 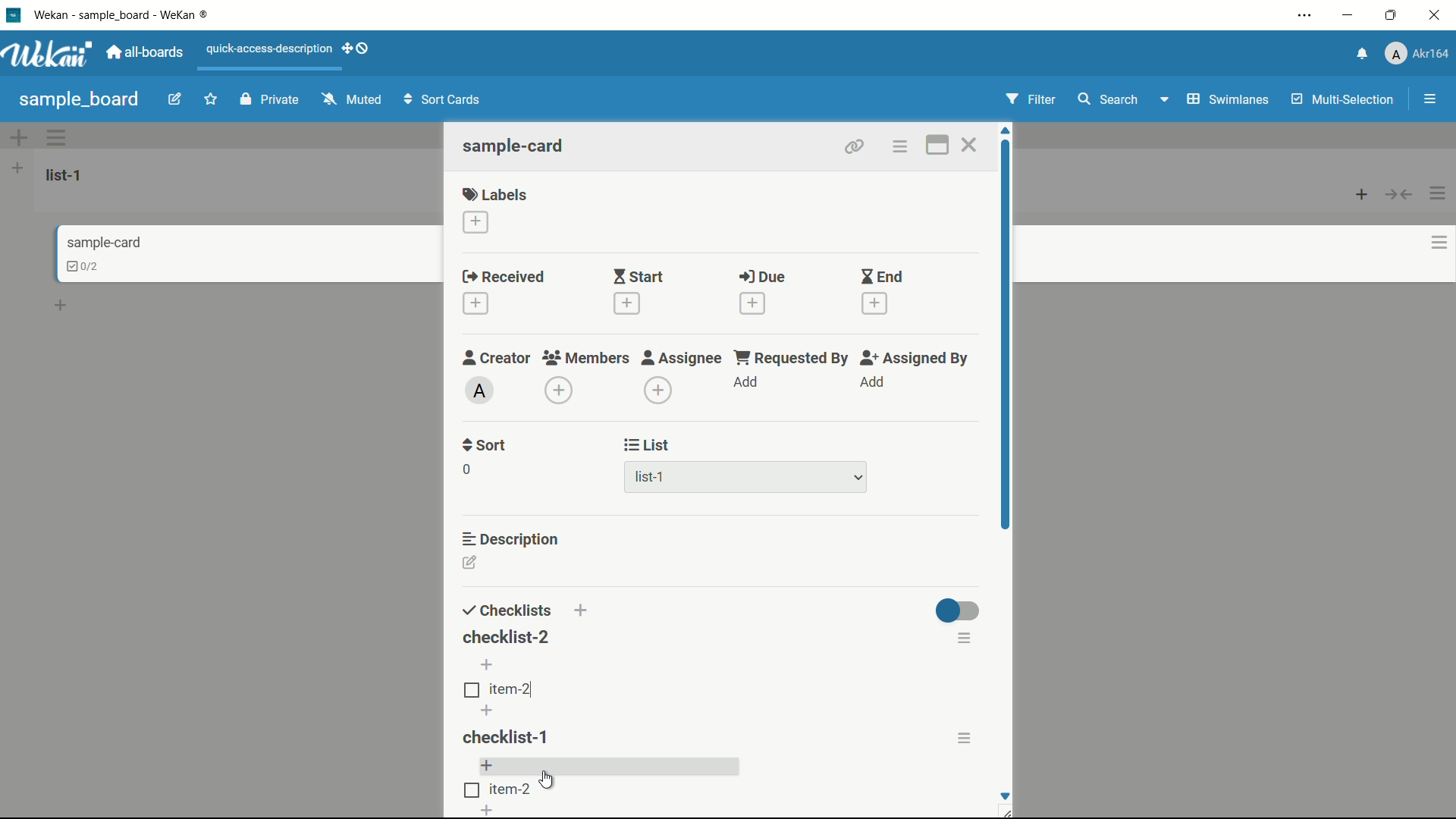 I want to click on add date, so click(x=475, y=304).